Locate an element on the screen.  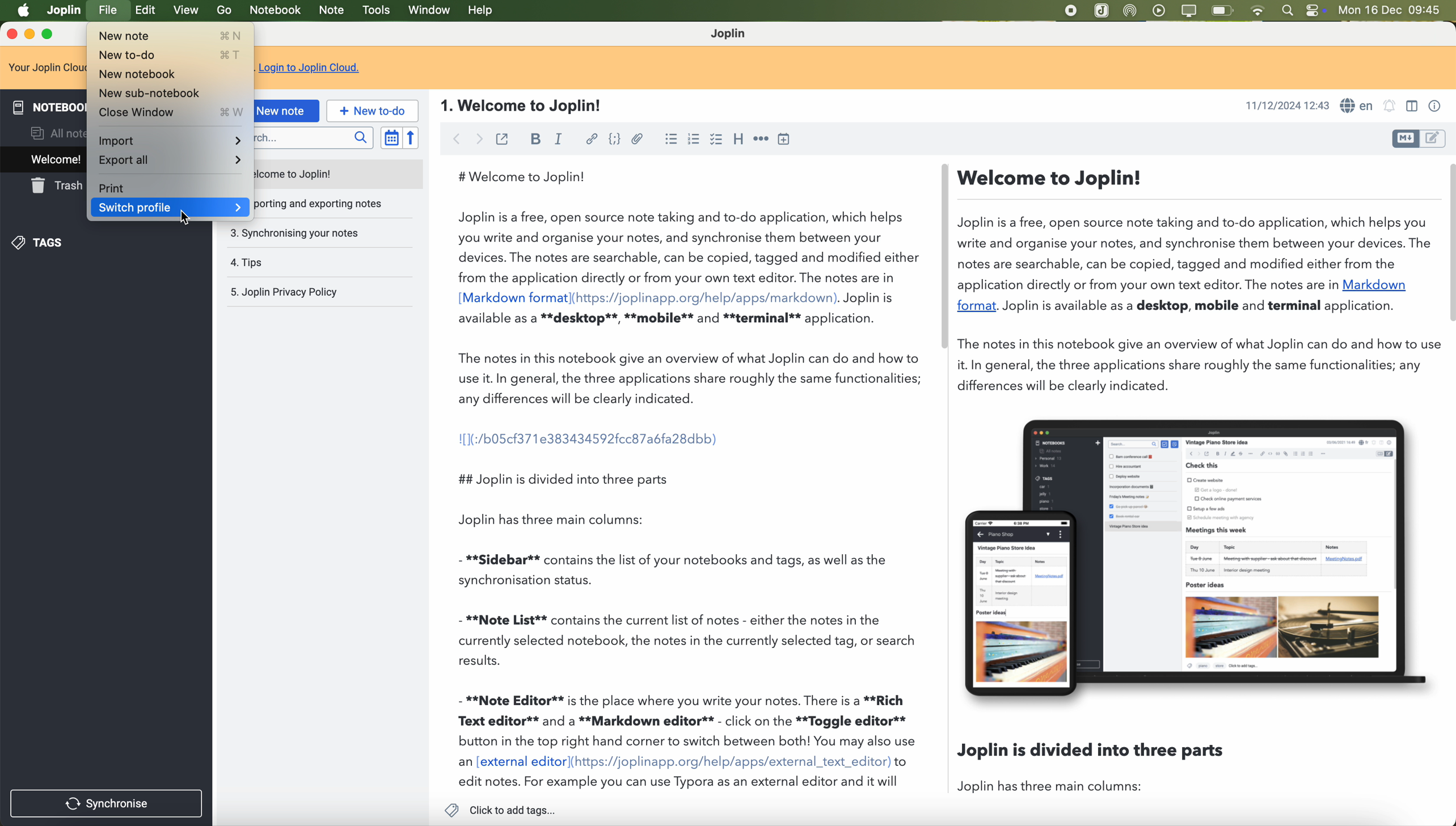
click to add tags is located at coordinates (500, 810).